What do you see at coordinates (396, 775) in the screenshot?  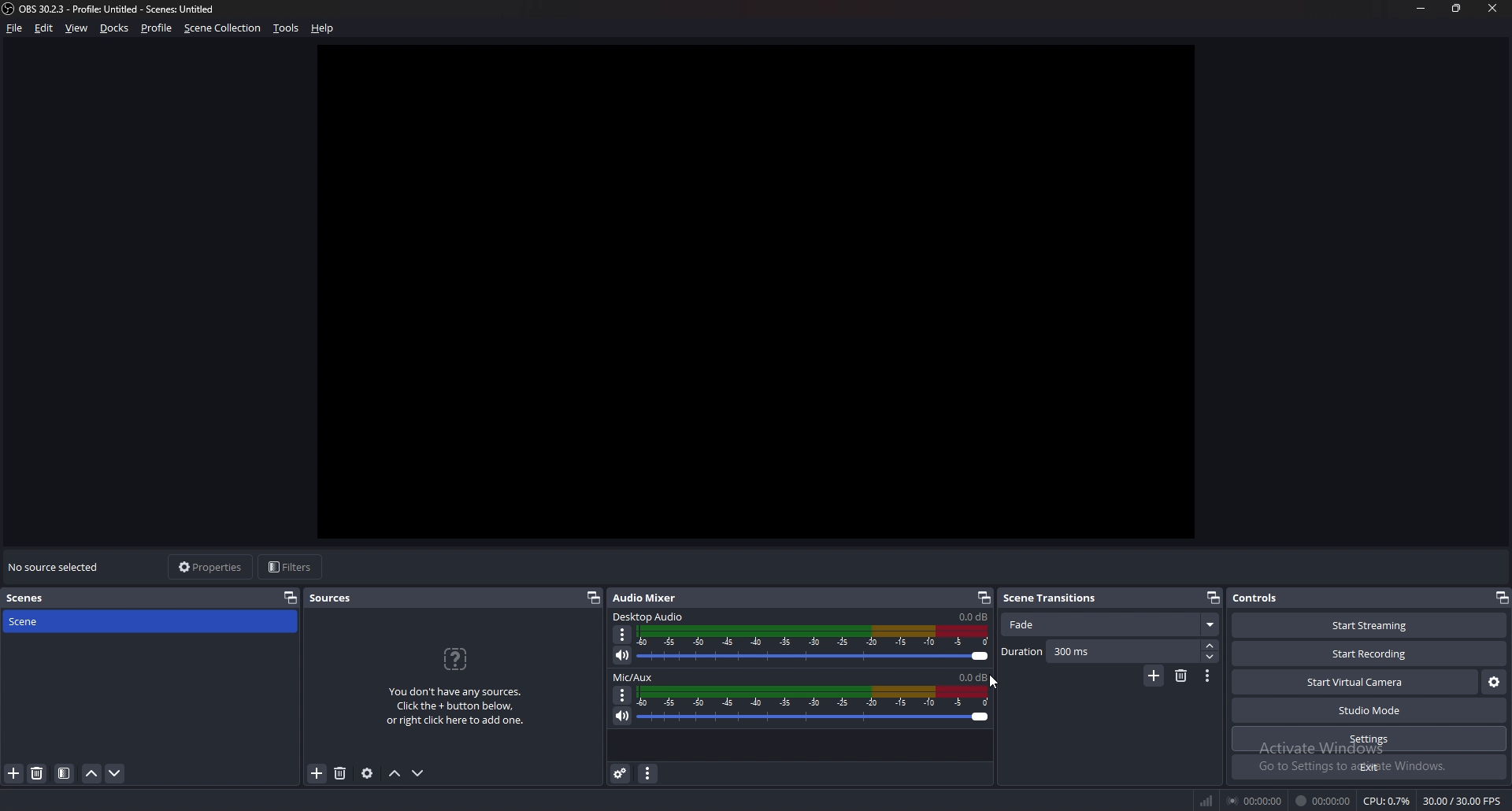 I see `move sources up` at bounding box center [396, 775].